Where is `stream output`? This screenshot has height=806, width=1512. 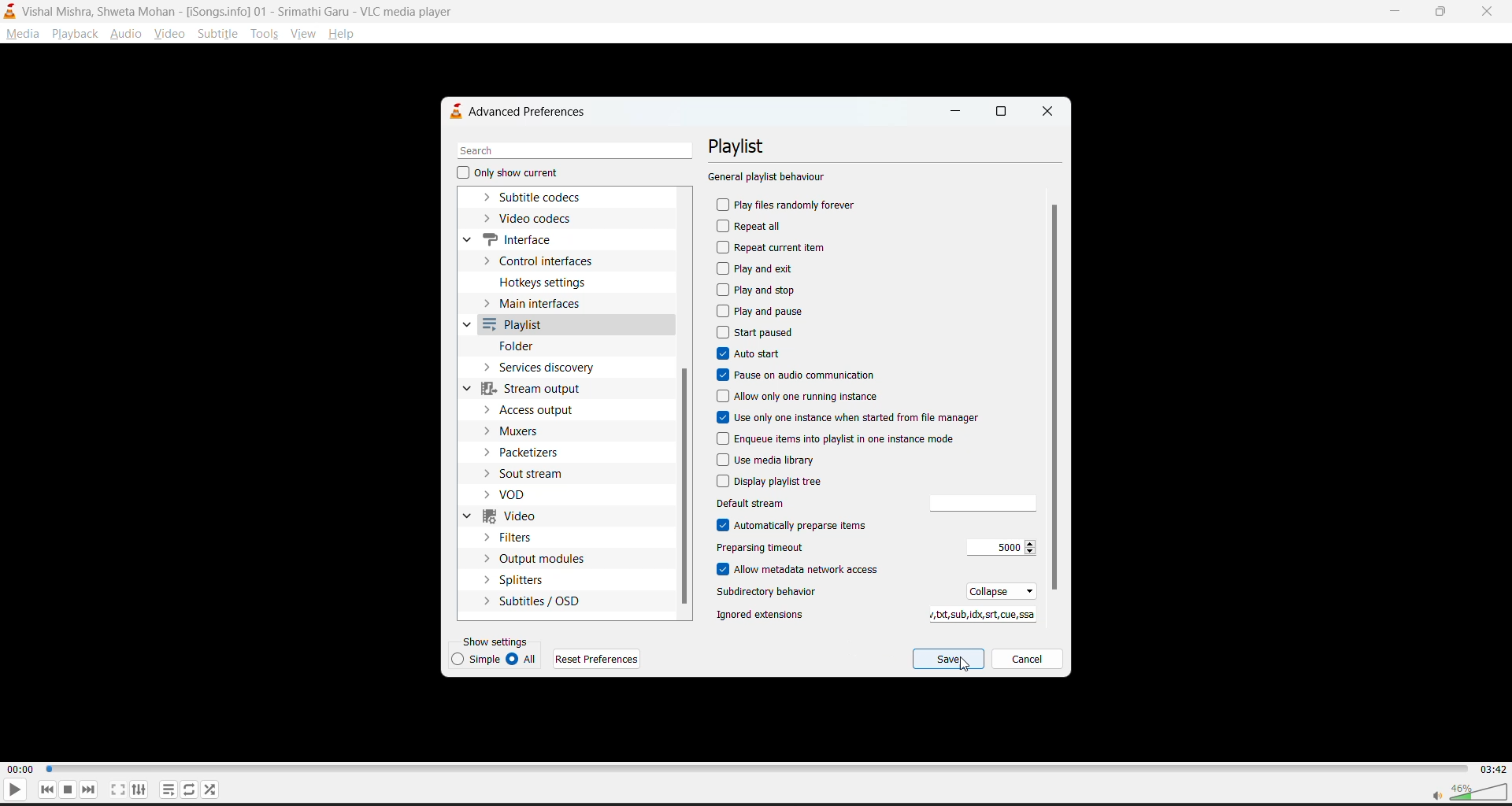 stream output is located at coordinates (533, 390).